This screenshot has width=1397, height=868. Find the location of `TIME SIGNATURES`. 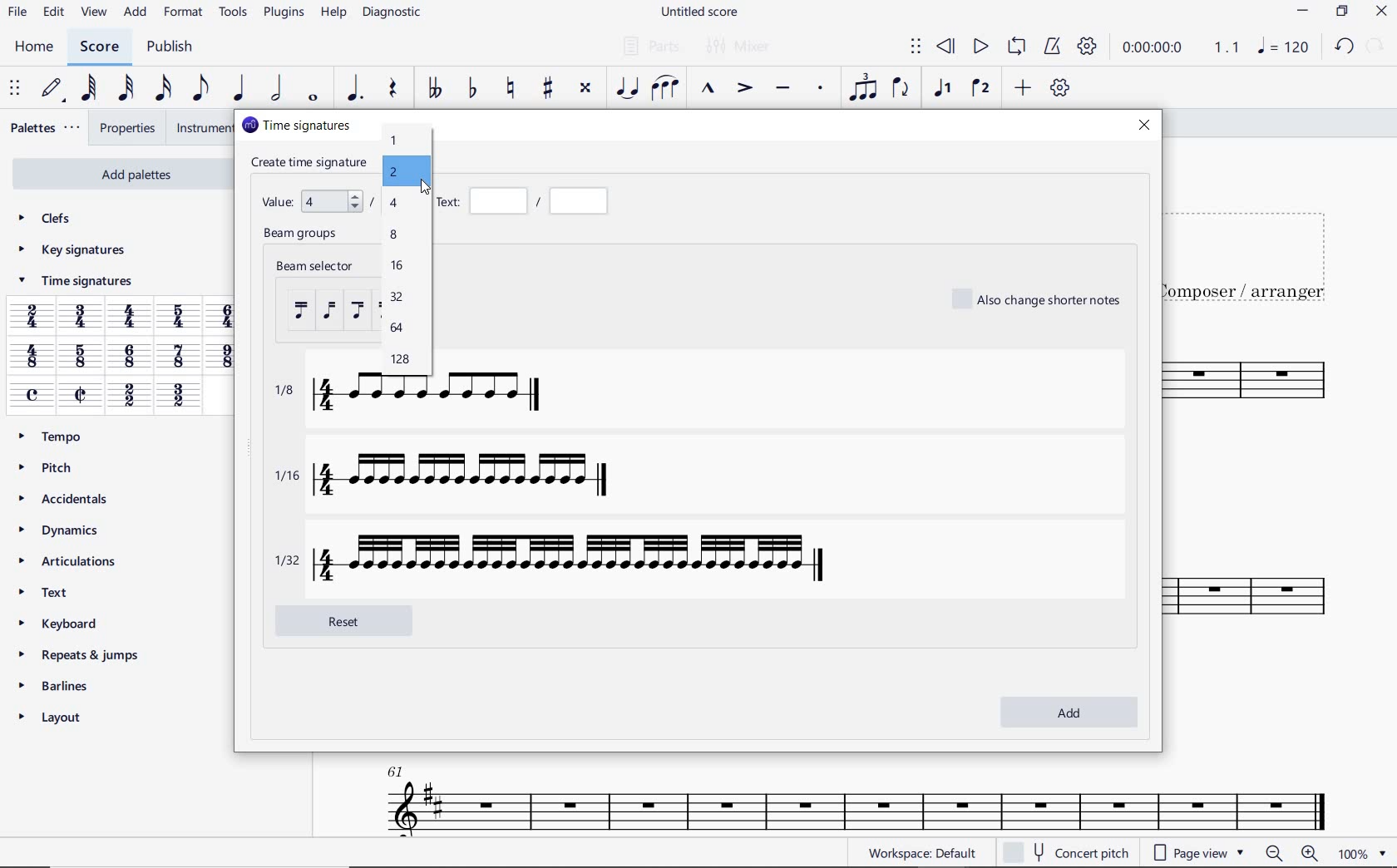

TIME SIGNATURES is located at coordinates (74, 284).